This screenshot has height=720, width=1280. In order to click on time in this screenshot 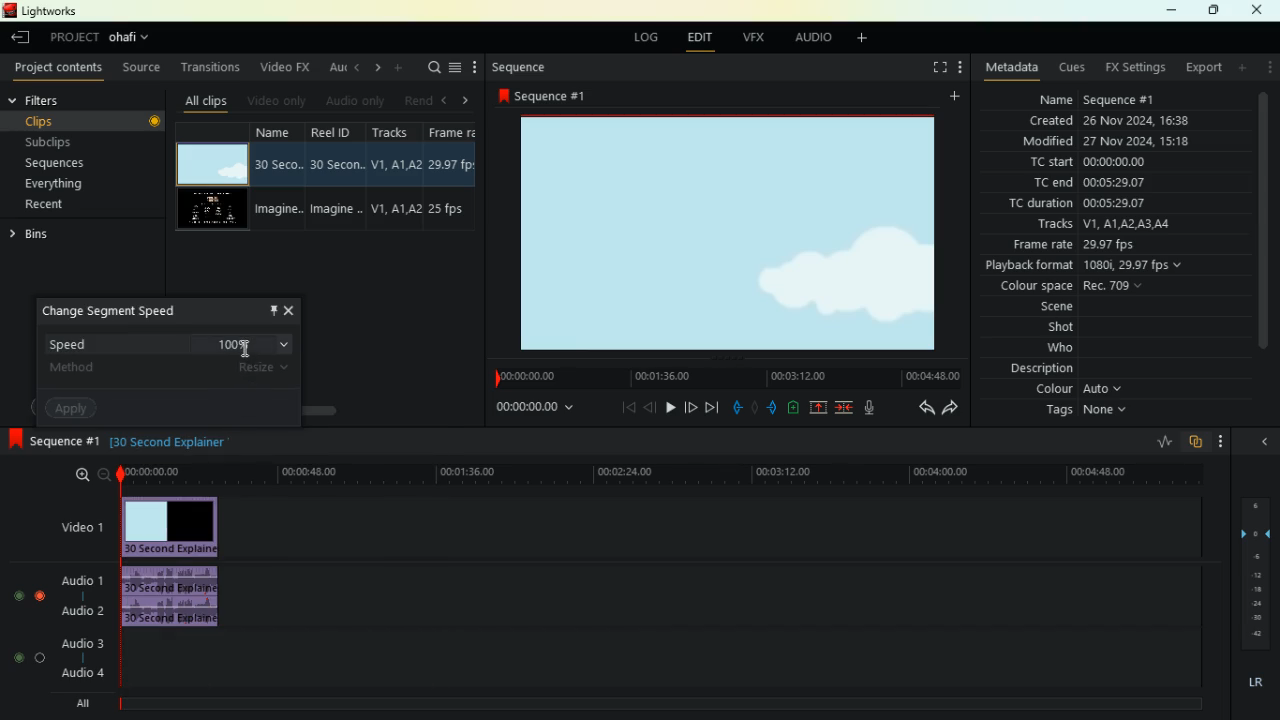, I will do `click(722, 376)`.